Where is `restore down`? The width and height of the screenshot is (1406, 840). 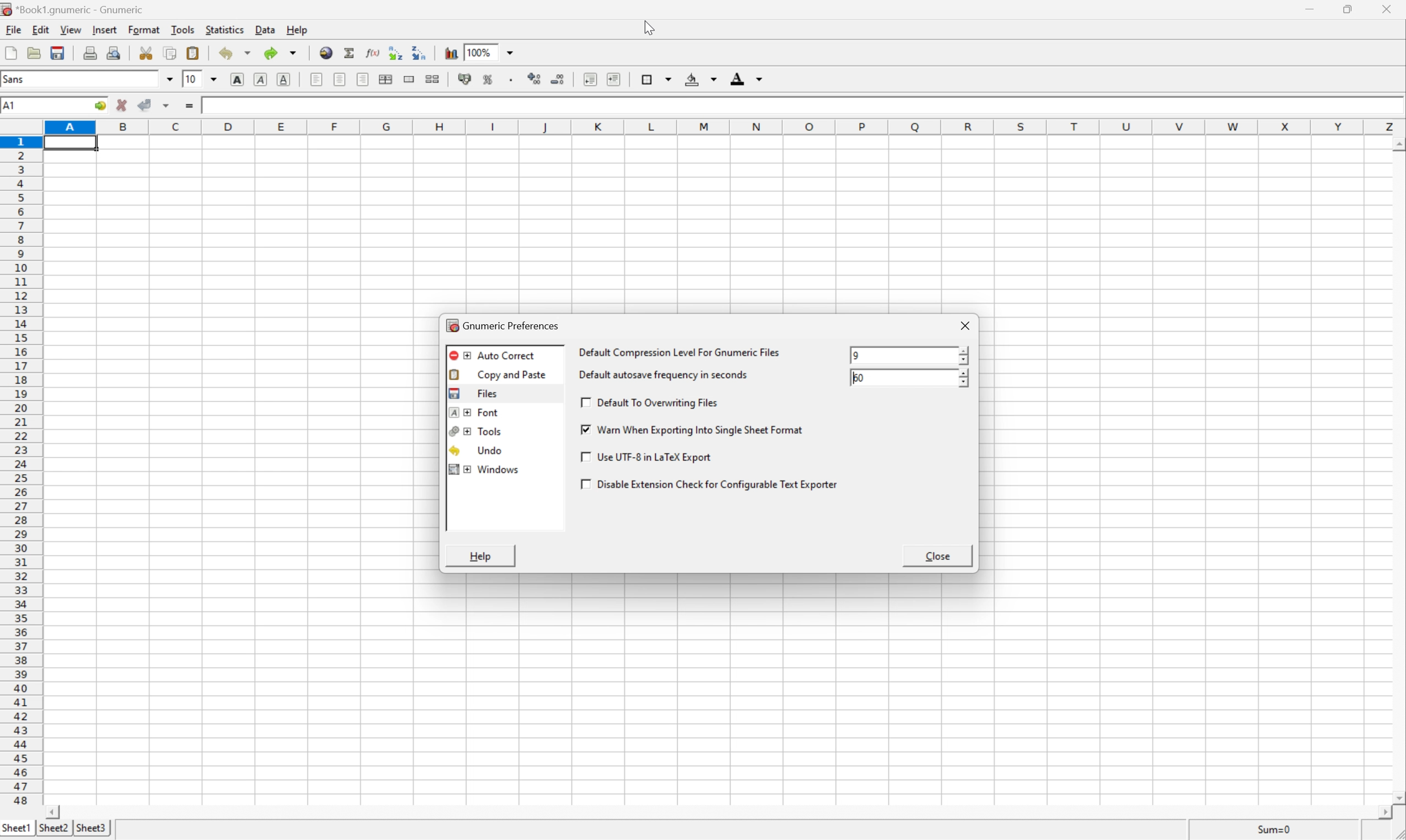
restore down is located at coordinates (1353, 10).